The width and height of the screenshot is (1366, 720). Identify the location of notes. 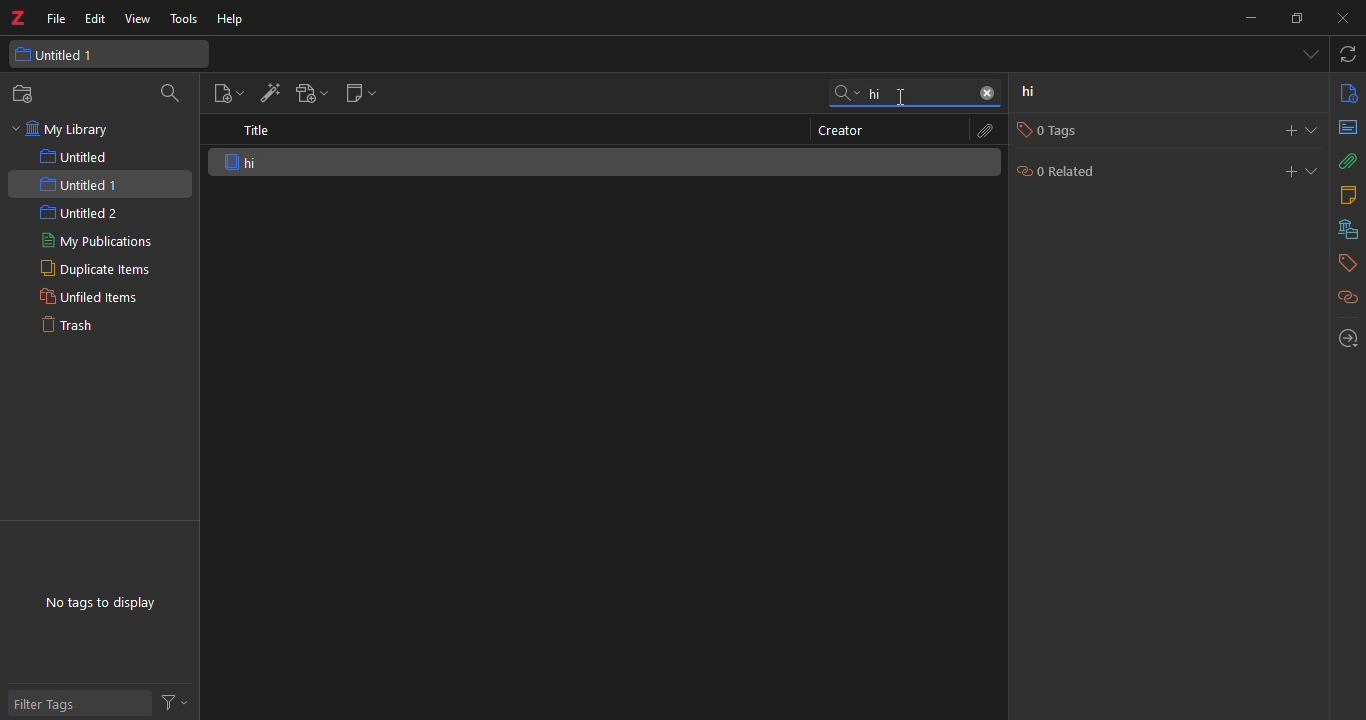
(1351, 195).